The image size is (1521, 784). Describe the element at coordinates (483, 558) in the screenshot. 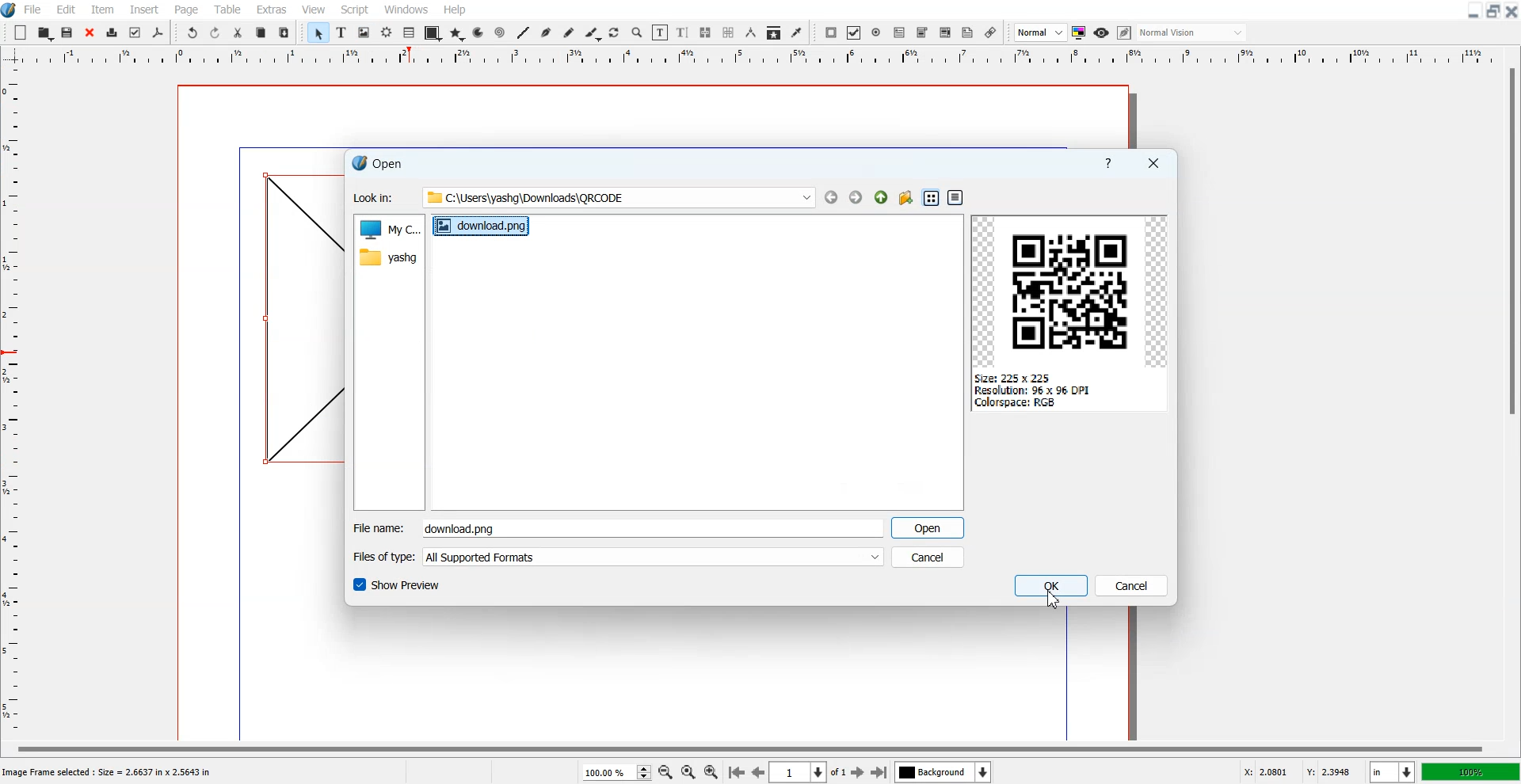

I see `All Supported Formats ` at that location.